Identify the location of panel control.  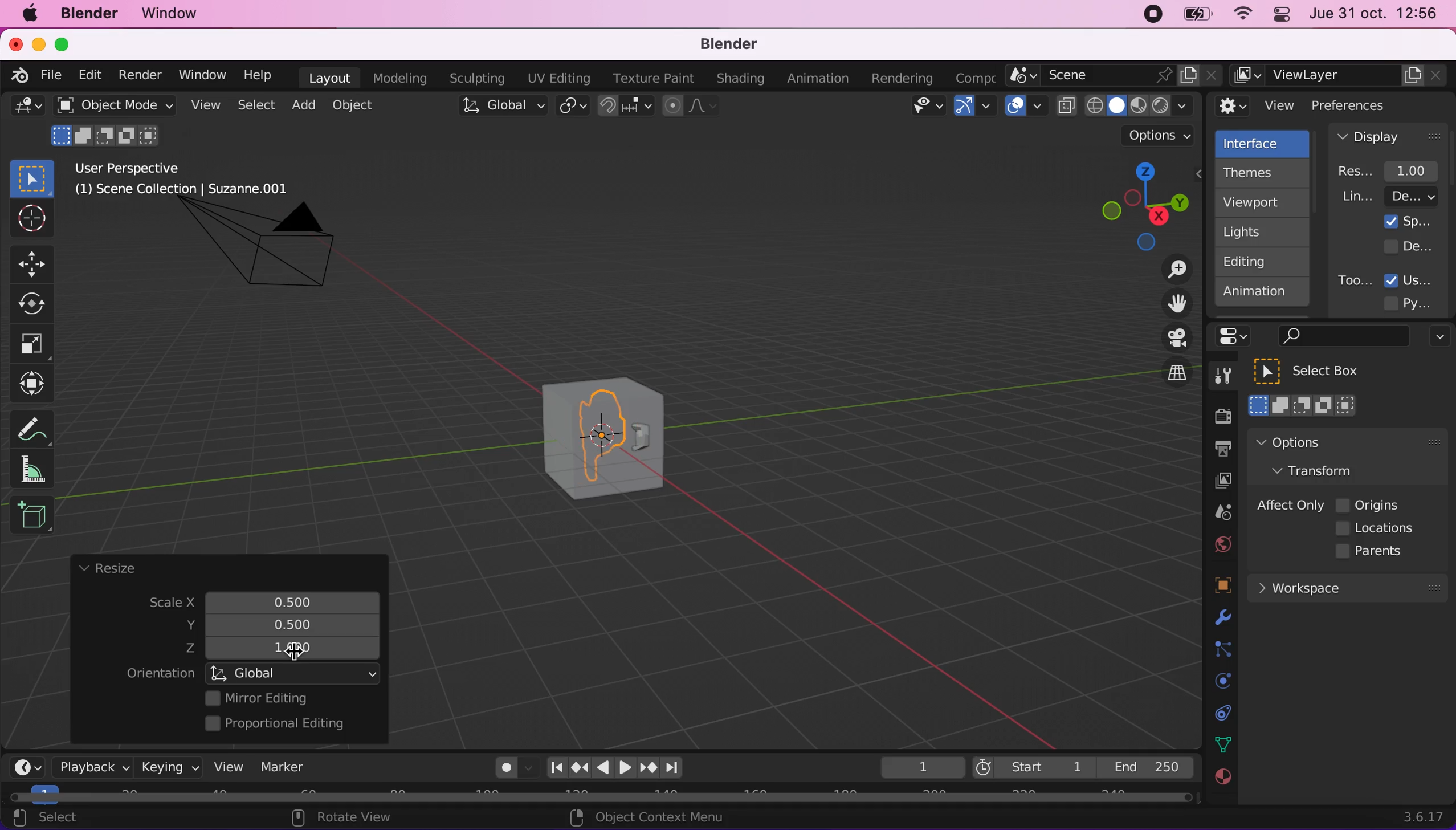
(1279, 16).